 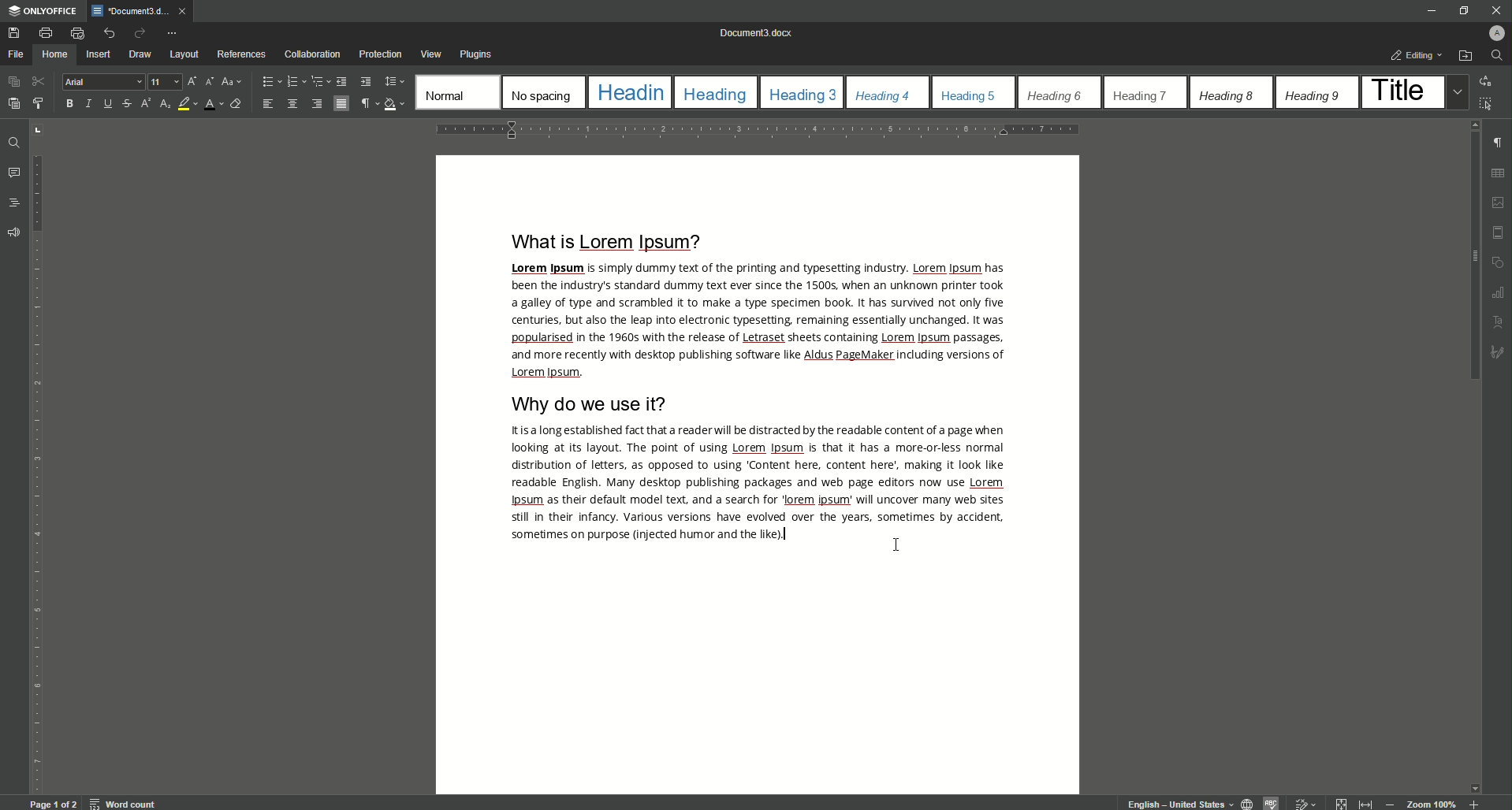 What do you see at coordinates (43, 128) in the screenshot?
I see `adjust` at bounding box center [43, 128].